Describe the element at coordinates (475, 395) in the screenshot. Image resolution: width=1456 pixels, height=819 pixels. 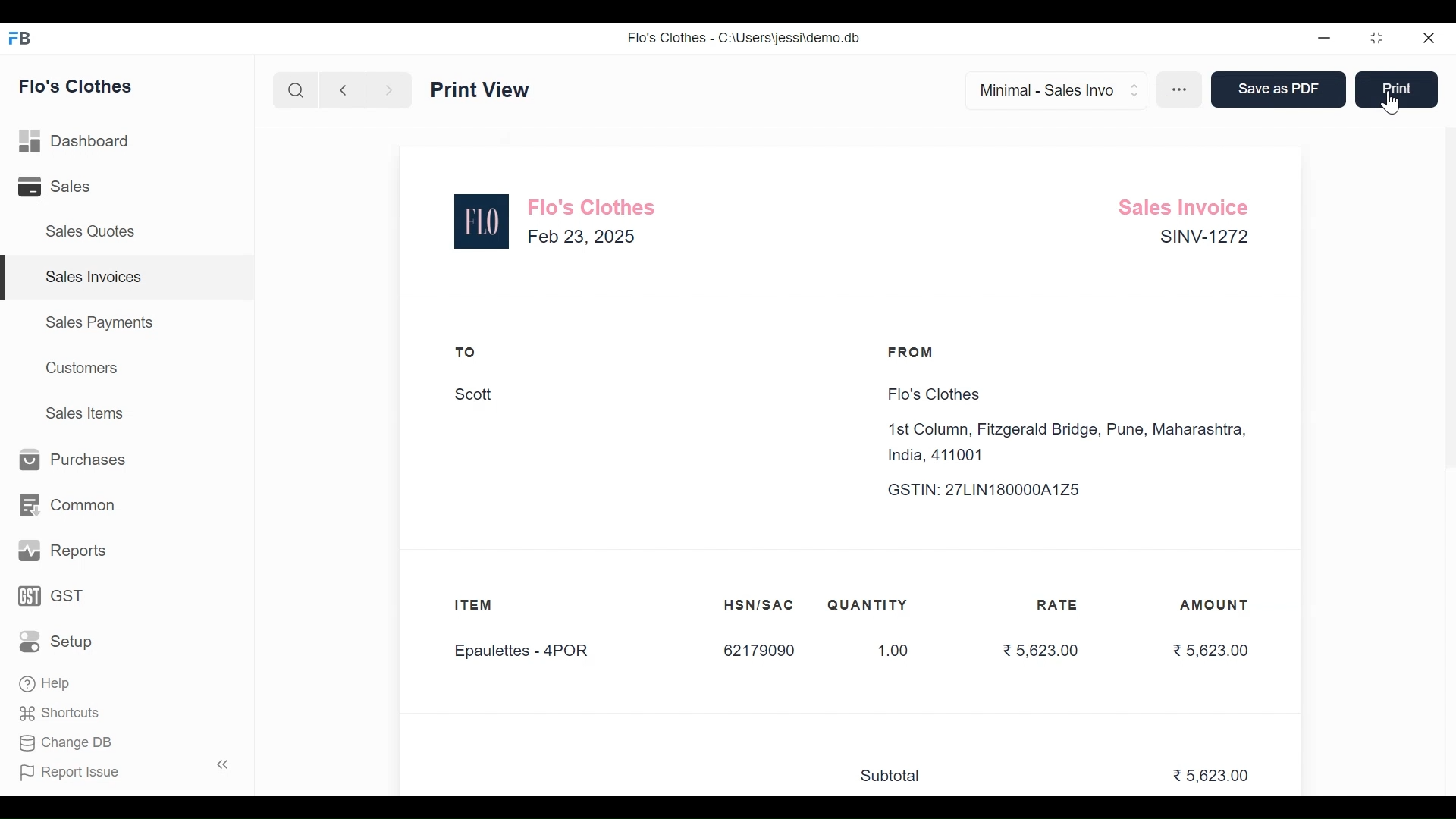
I see `Scott` at that location.